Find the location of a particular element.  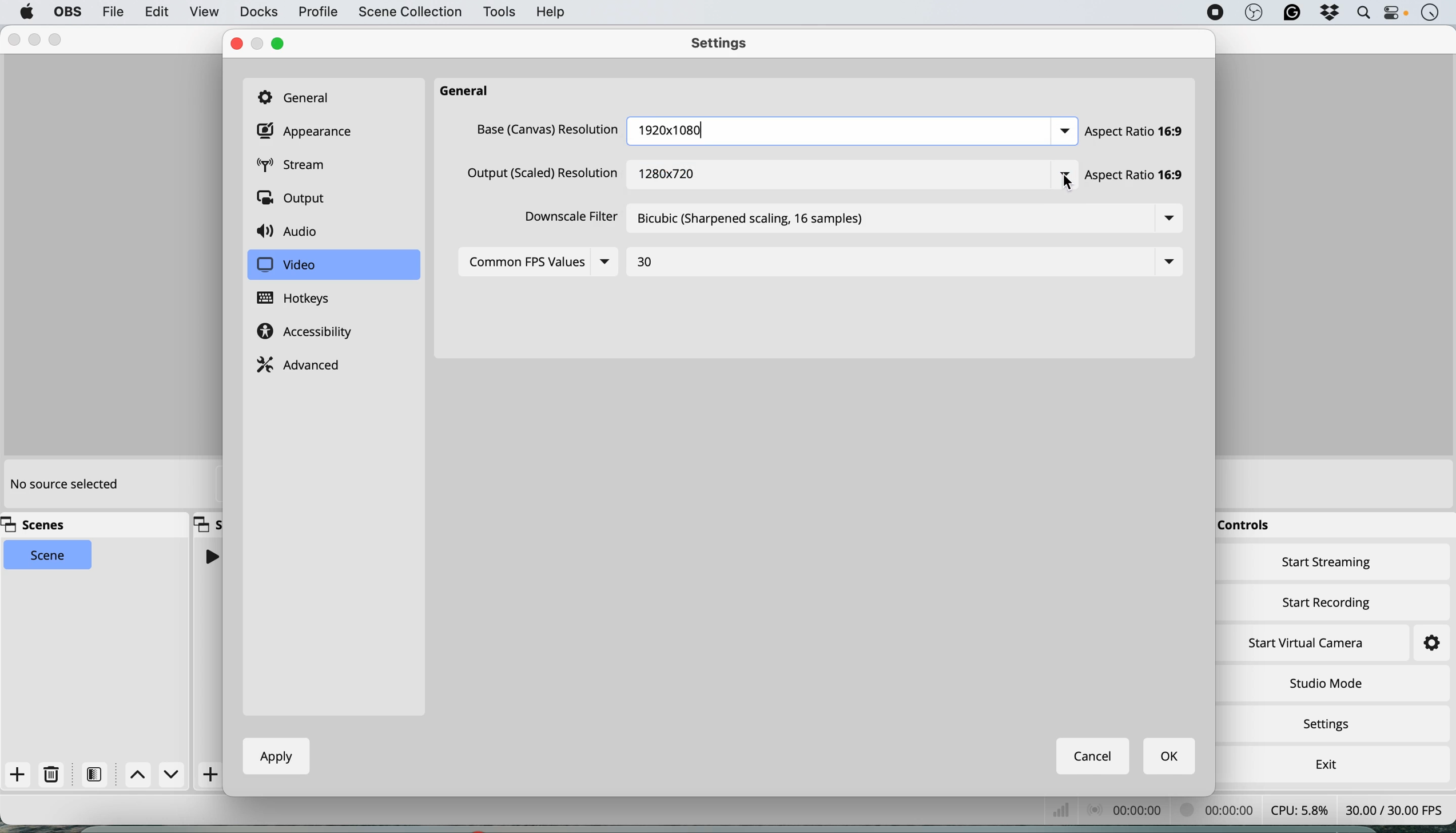

filters is located at coordinates (98, 774).